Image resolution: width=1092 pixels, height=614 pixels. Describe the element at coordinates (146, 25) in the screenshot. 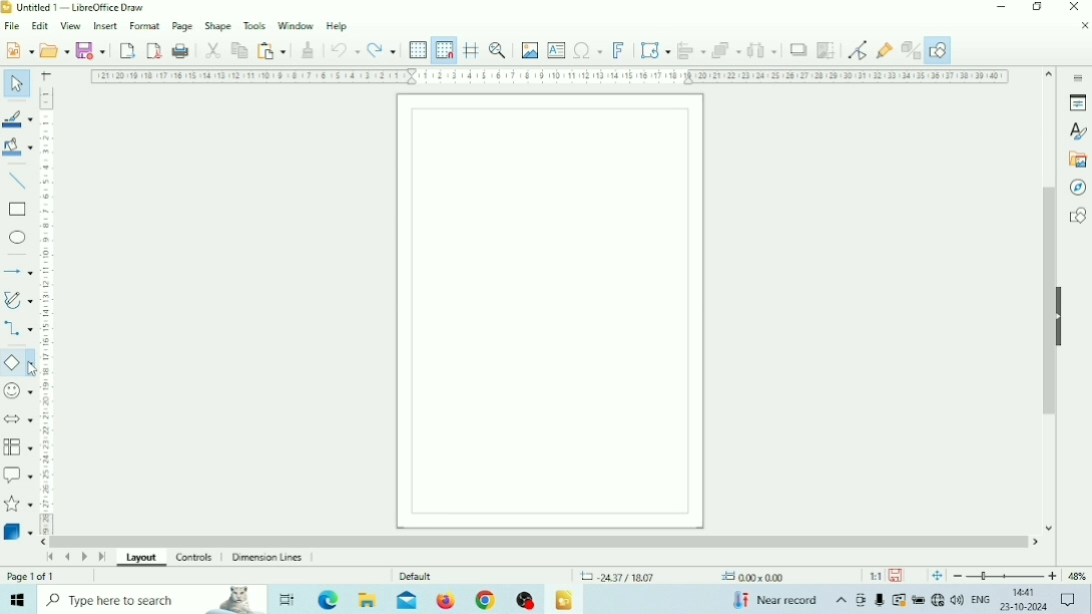

I see `Format` at that location.